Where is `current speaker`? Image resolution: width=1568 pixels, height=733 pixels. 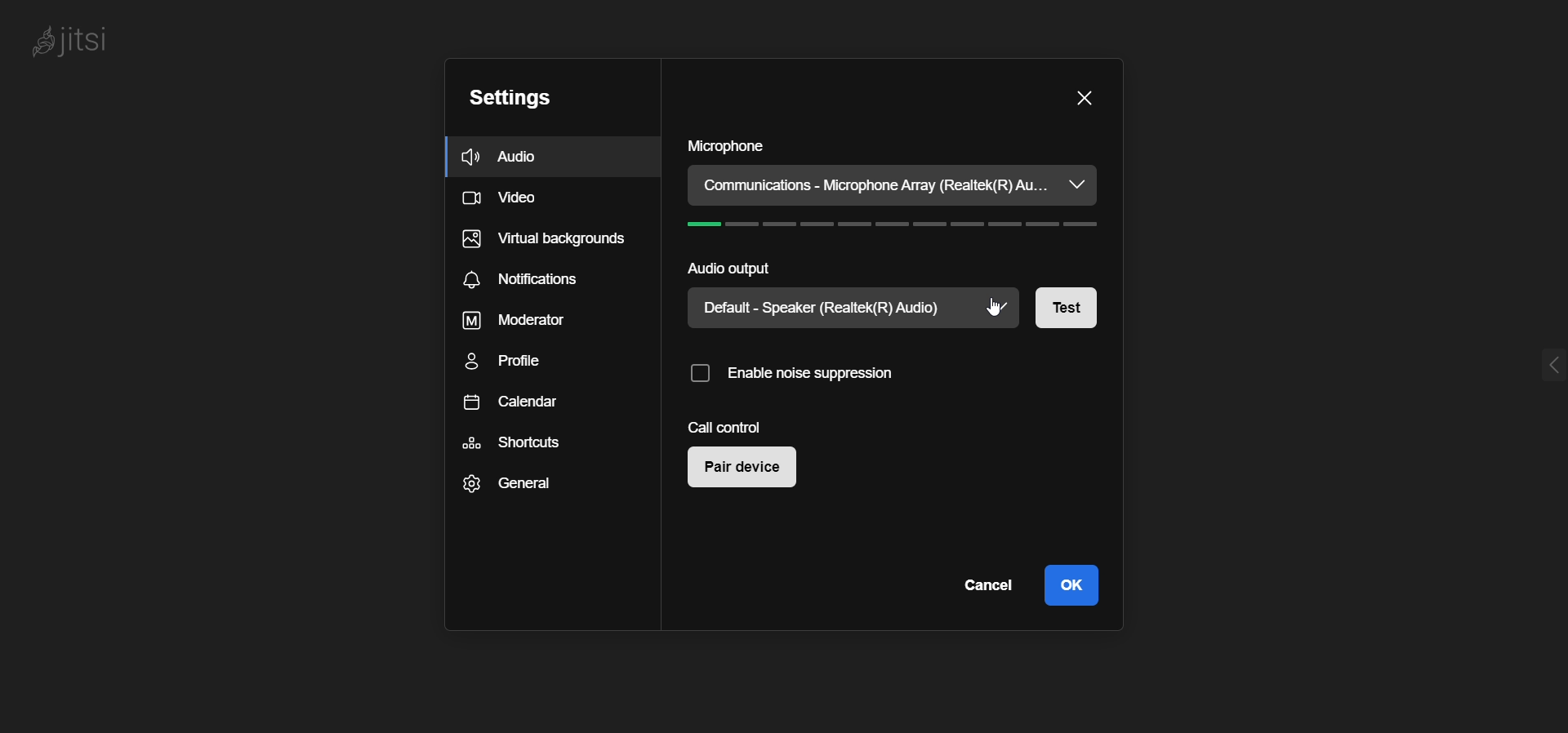
current speaker is located at coordinates (834, 308).